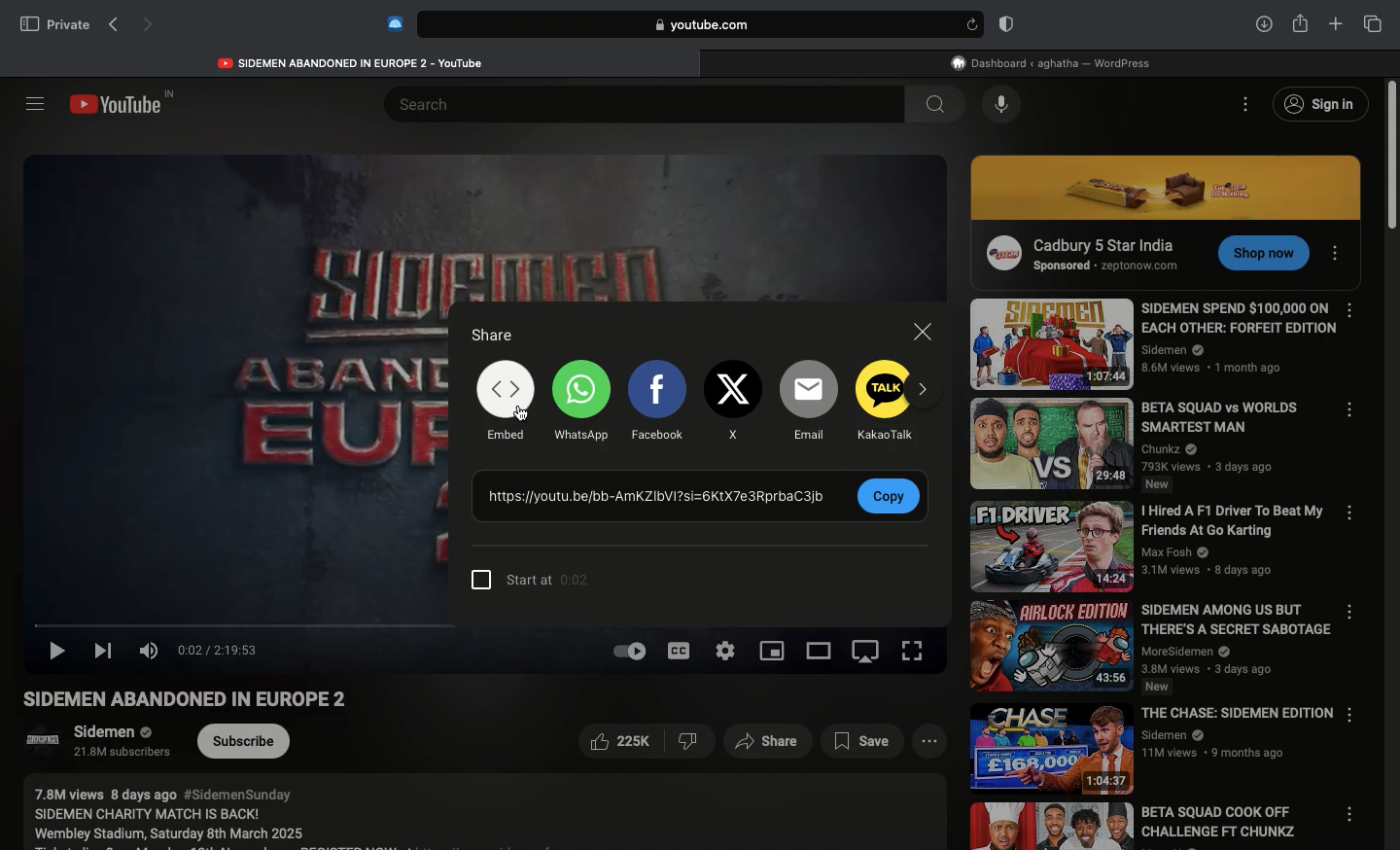 This screenshot has width=1400, height=850. I want to click on Video name, so click(1148, 445).